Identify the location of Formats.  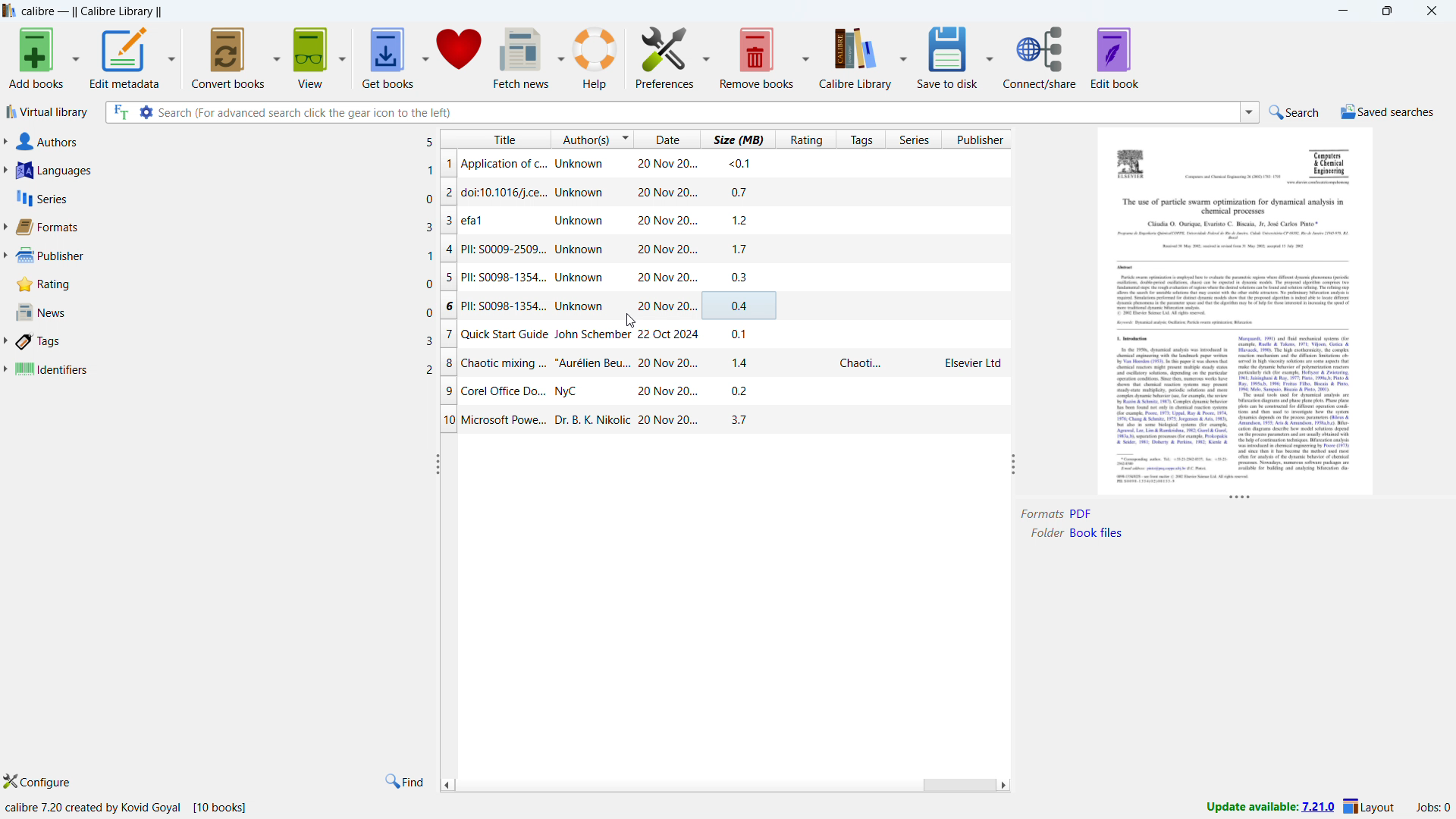
(1042, 514).